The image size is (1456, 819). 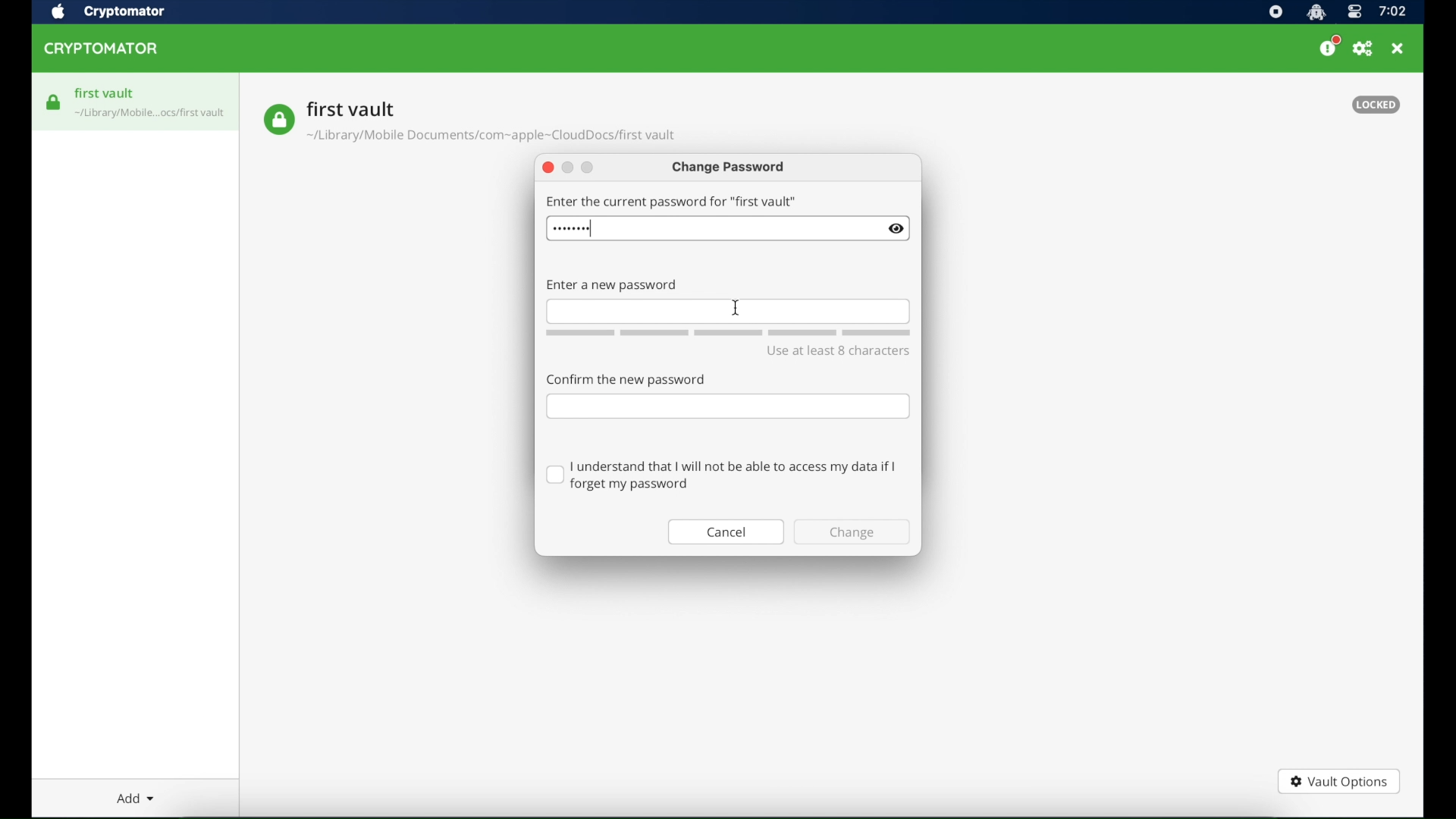 I want to click on first vault, so click(x=105, y=93).